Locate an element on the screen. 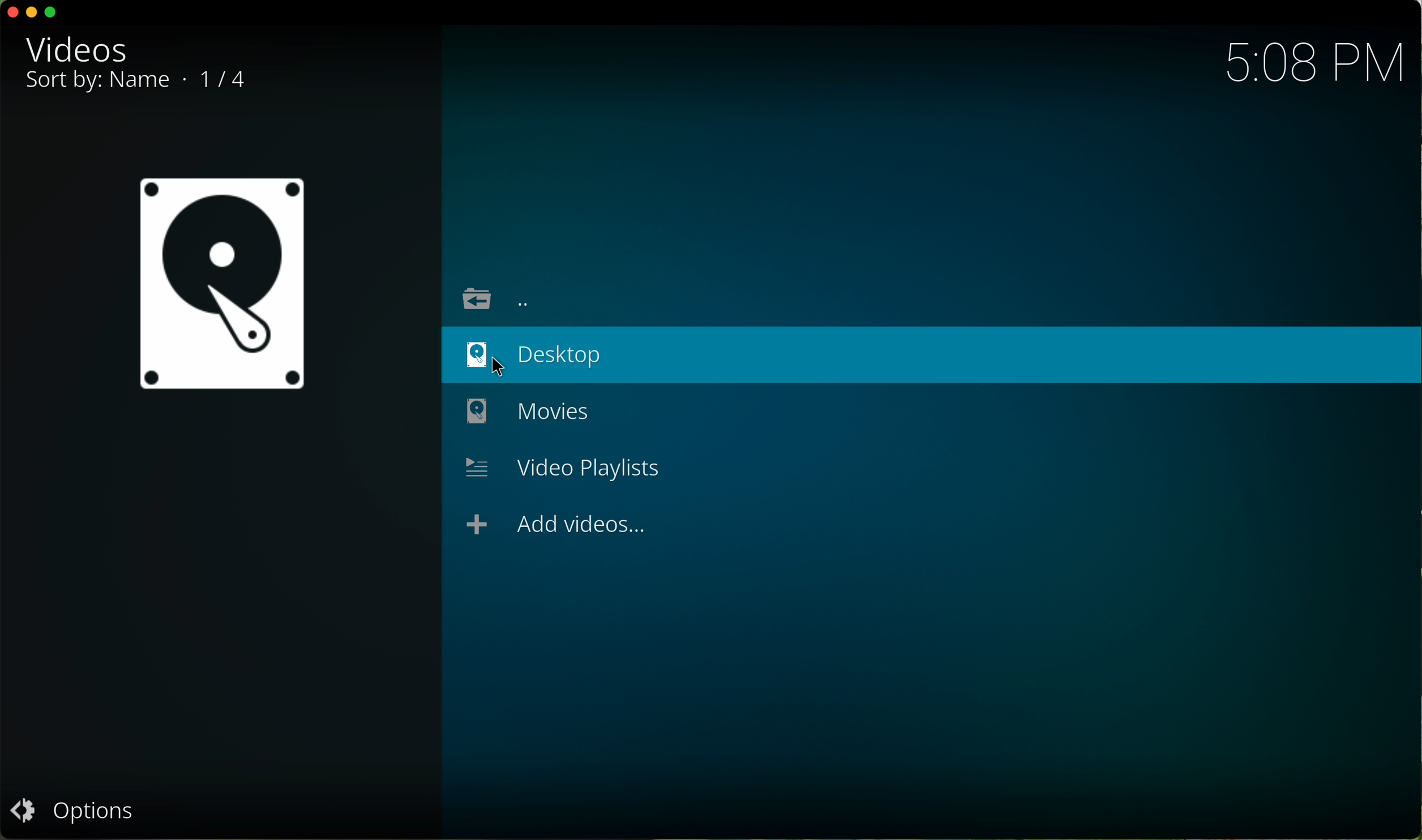 The height and width of the screenshot is (840, 1422). maximize is located at coordinates (52, 12).